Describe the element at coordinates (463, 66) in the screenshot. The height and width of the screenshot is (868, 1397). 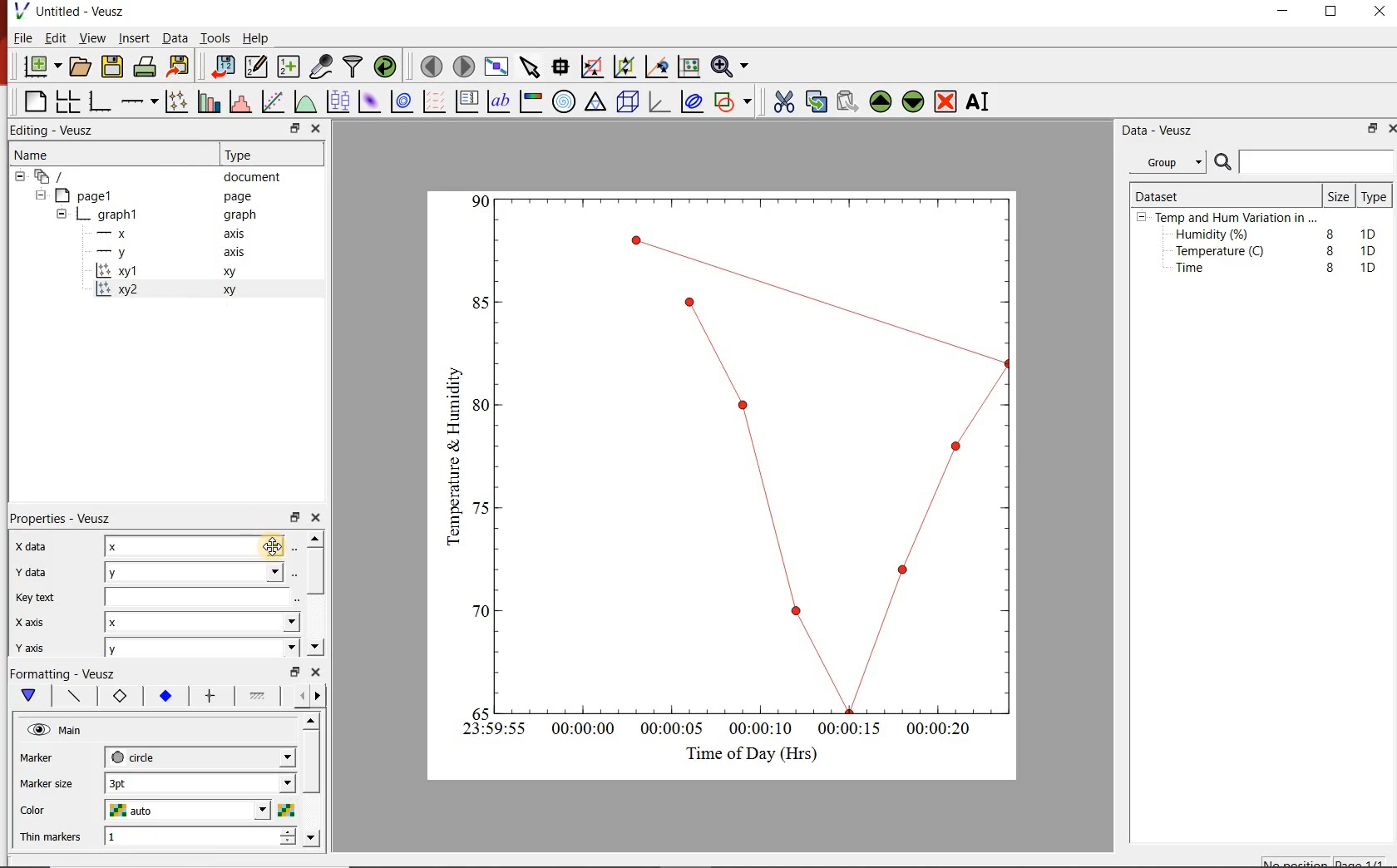
I see `move to the next page` at that location.